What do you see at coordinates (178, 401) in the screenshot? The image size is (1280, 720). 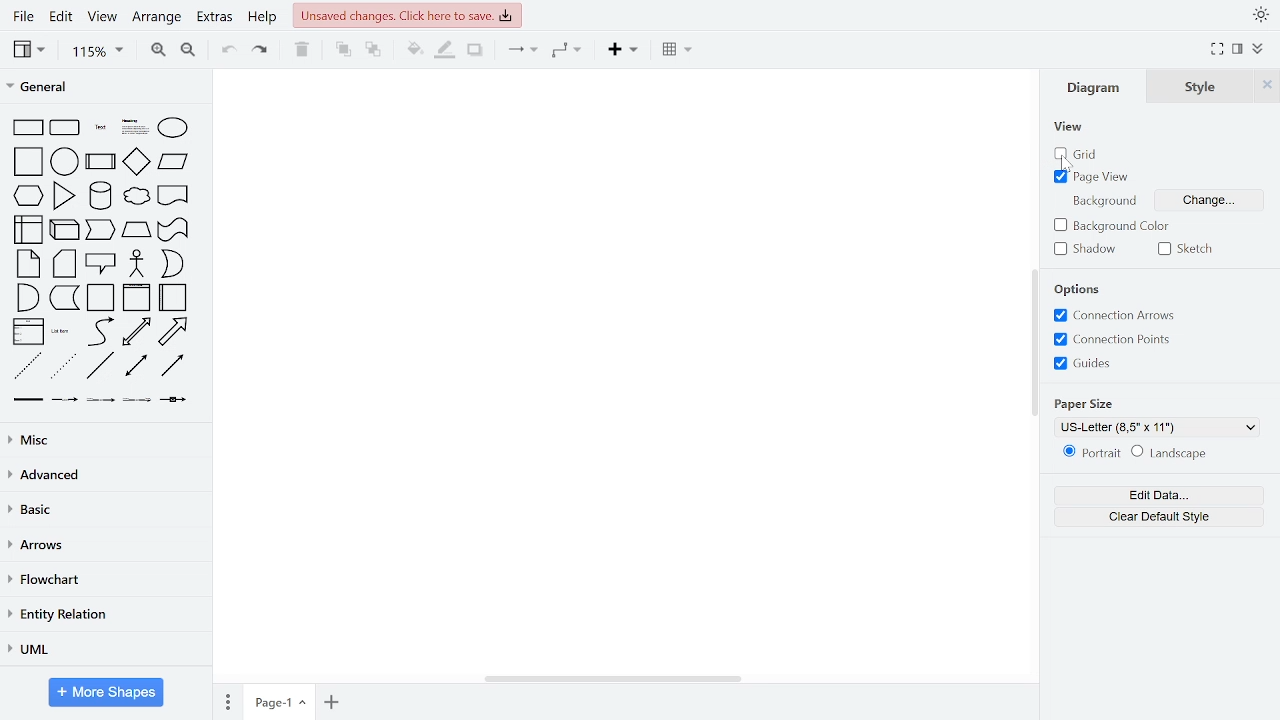 I see `connector with symbol` at bounding box center [178, 401].